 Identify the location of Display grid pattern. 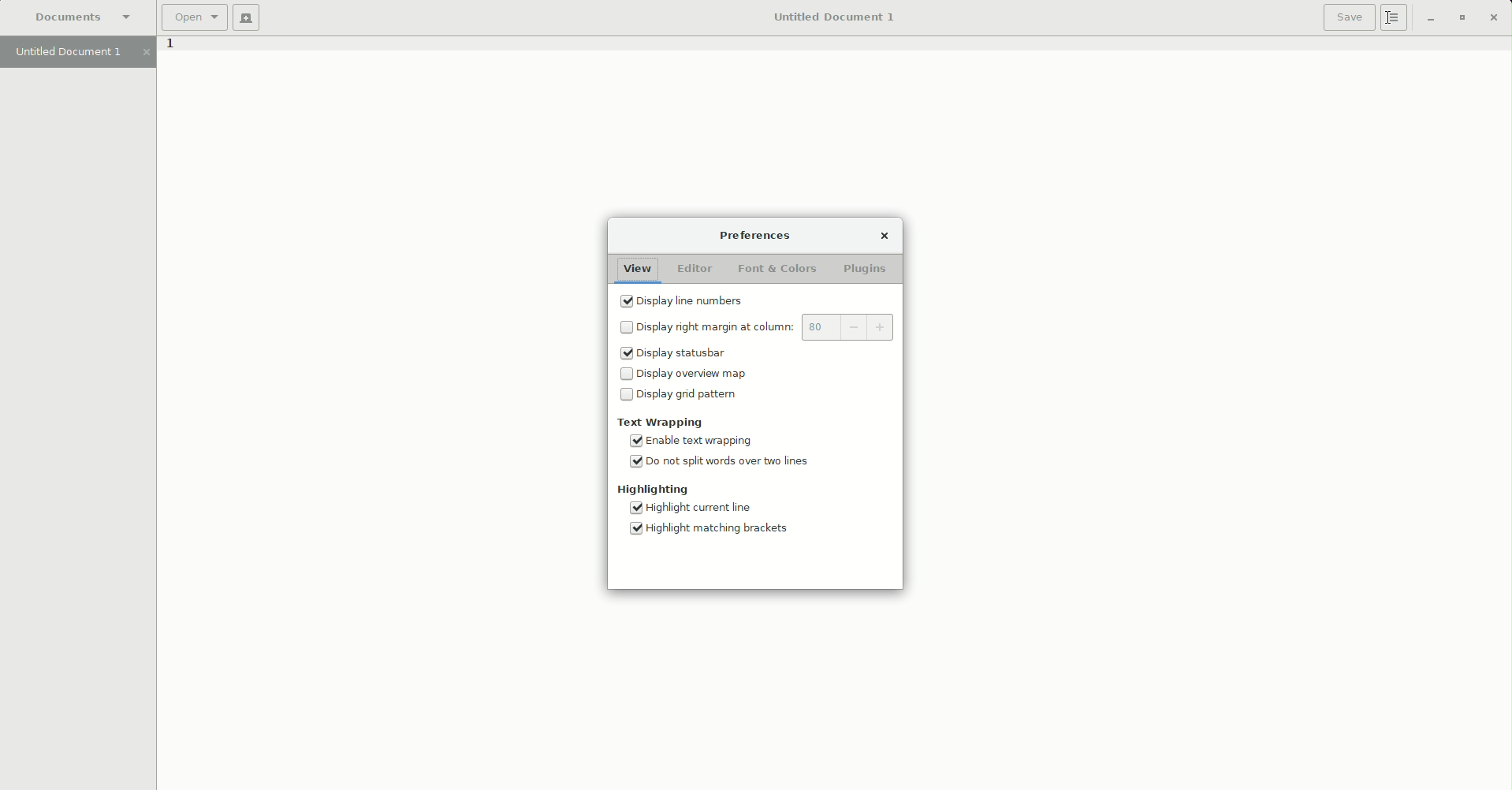
(683, 395).